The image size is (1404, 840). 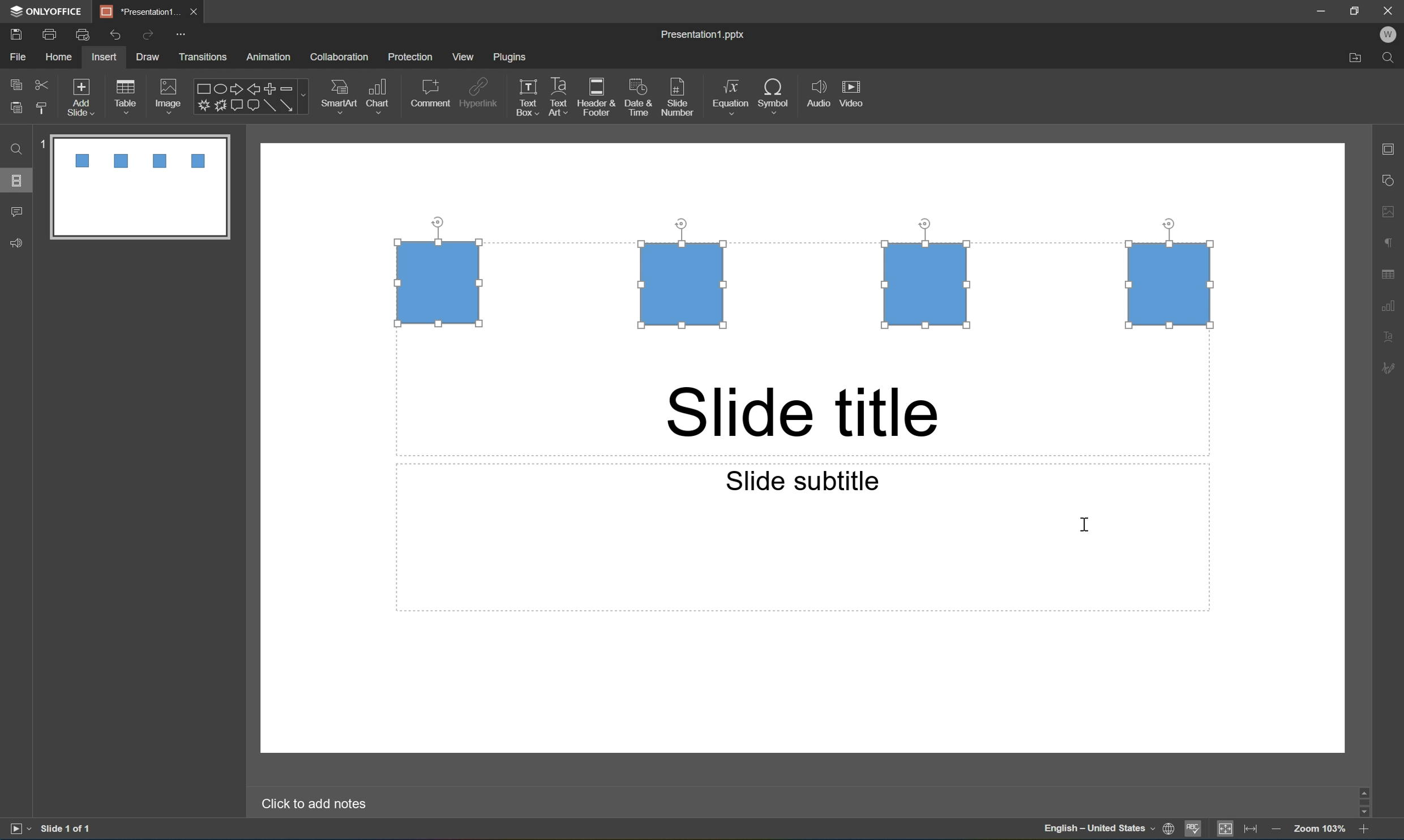 I want to click on text art settings, so click(x=1394, y=337).